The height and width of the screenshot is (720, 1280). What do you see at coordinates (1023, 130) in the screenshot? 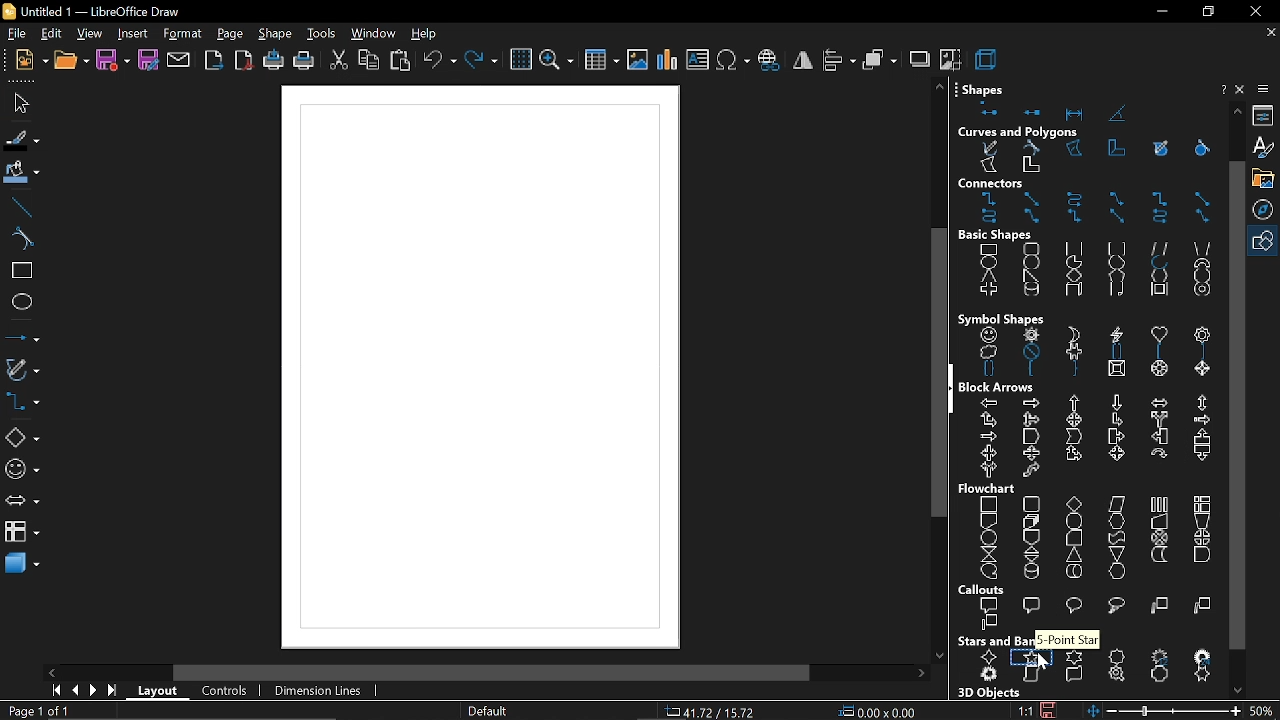
I see `curves  and polygons` at bounding box center [1023, 130].